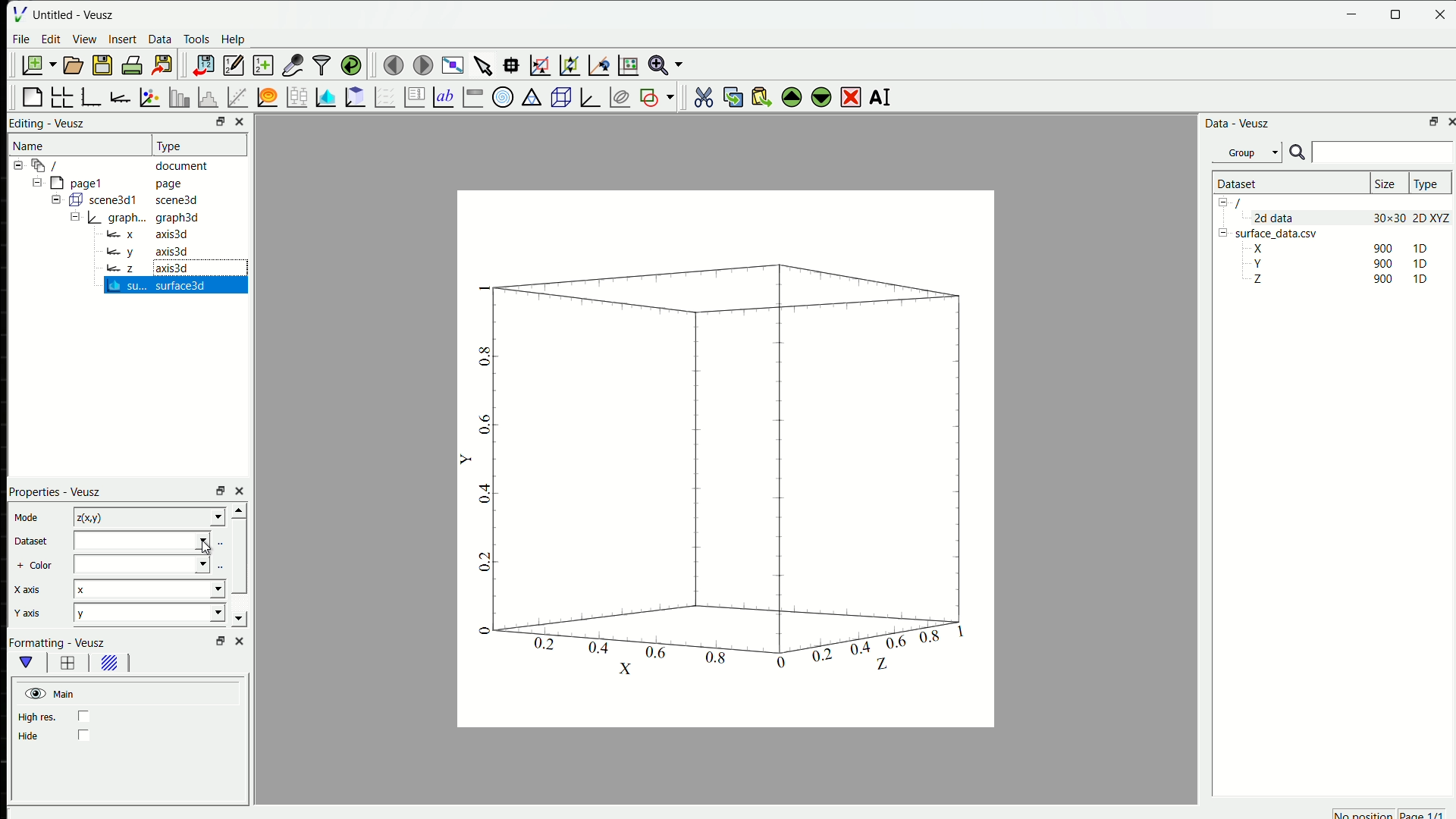 The image size is (1456, 819). What do you see at coordinates (238, 96) in the screenshot?
I see `fit a function` at bounding box center [238, 96].